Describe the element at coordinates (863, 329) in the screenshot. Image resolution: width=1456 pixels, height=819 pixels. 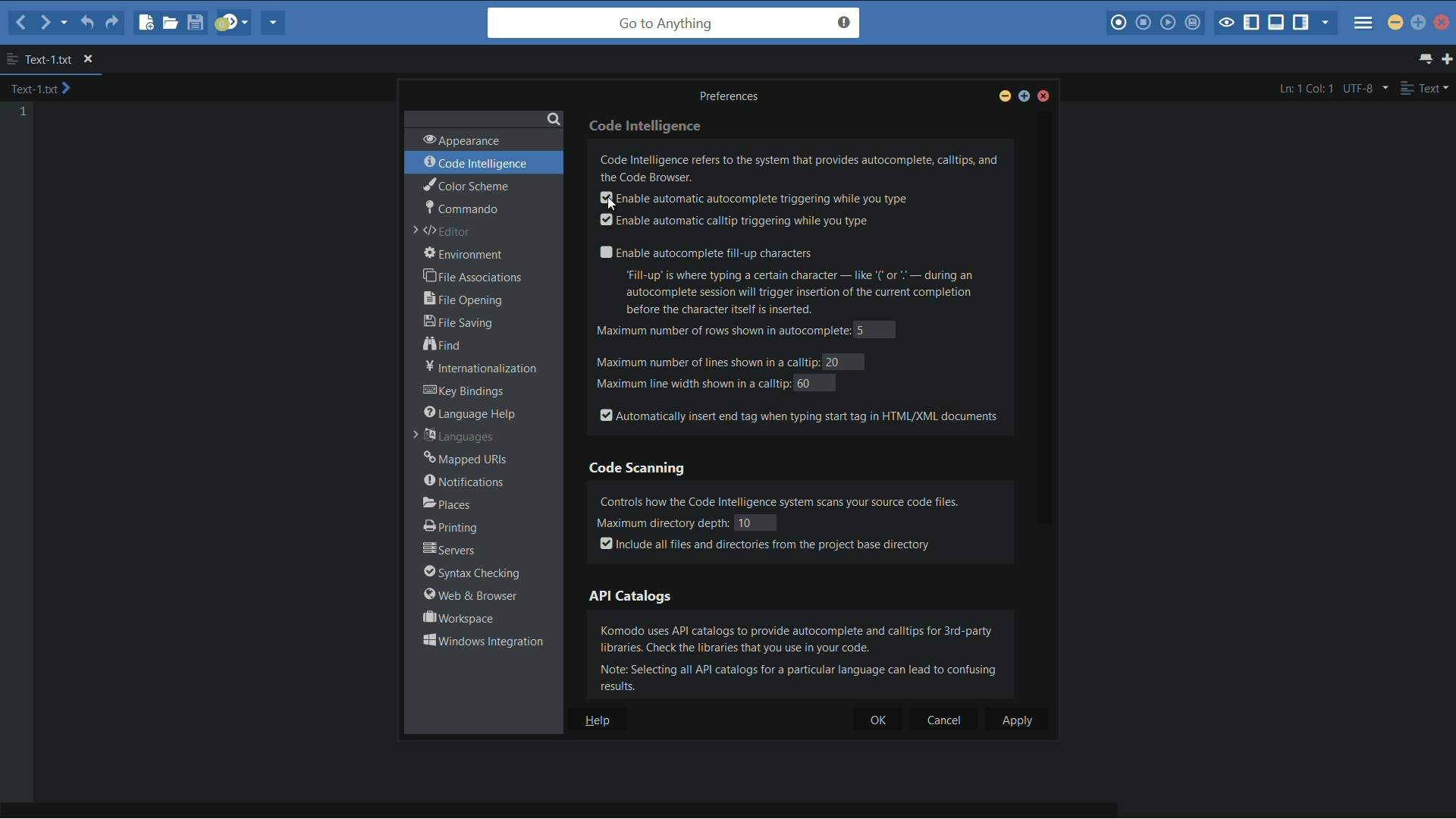
I see `5` at that location.